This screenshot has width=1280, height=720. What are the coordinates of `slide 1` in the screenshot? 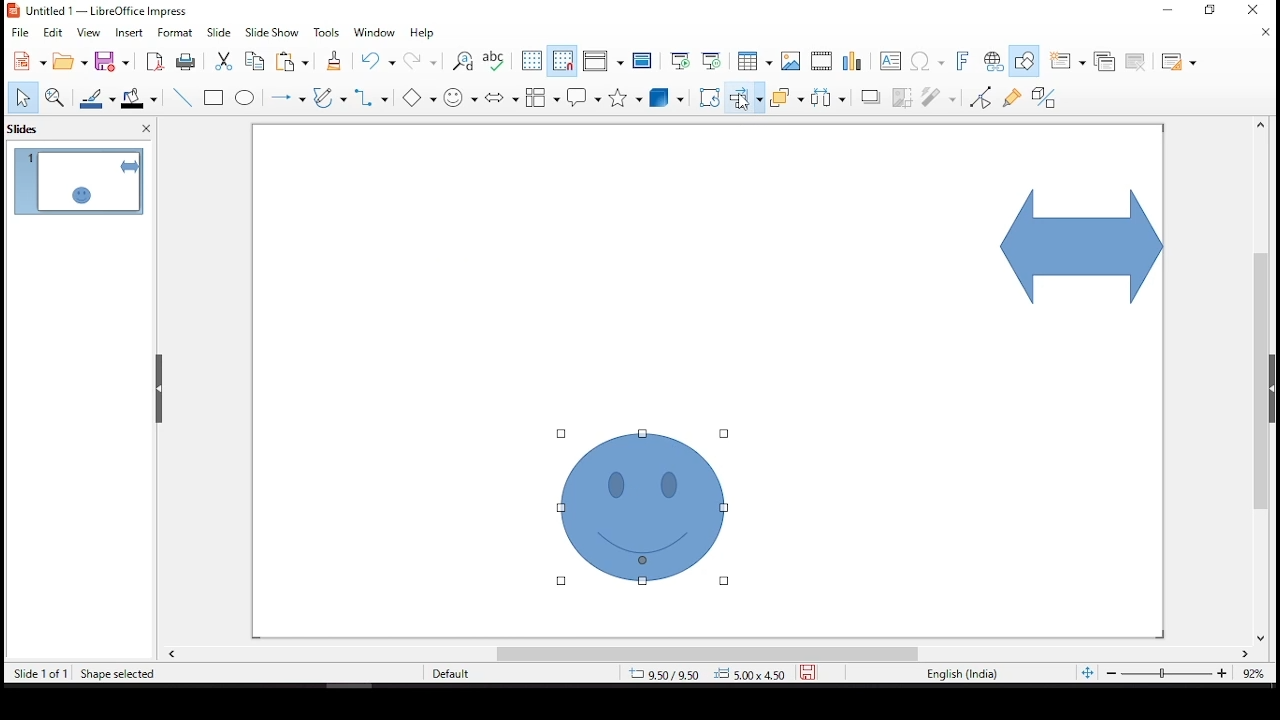 It's located at (79, 181).